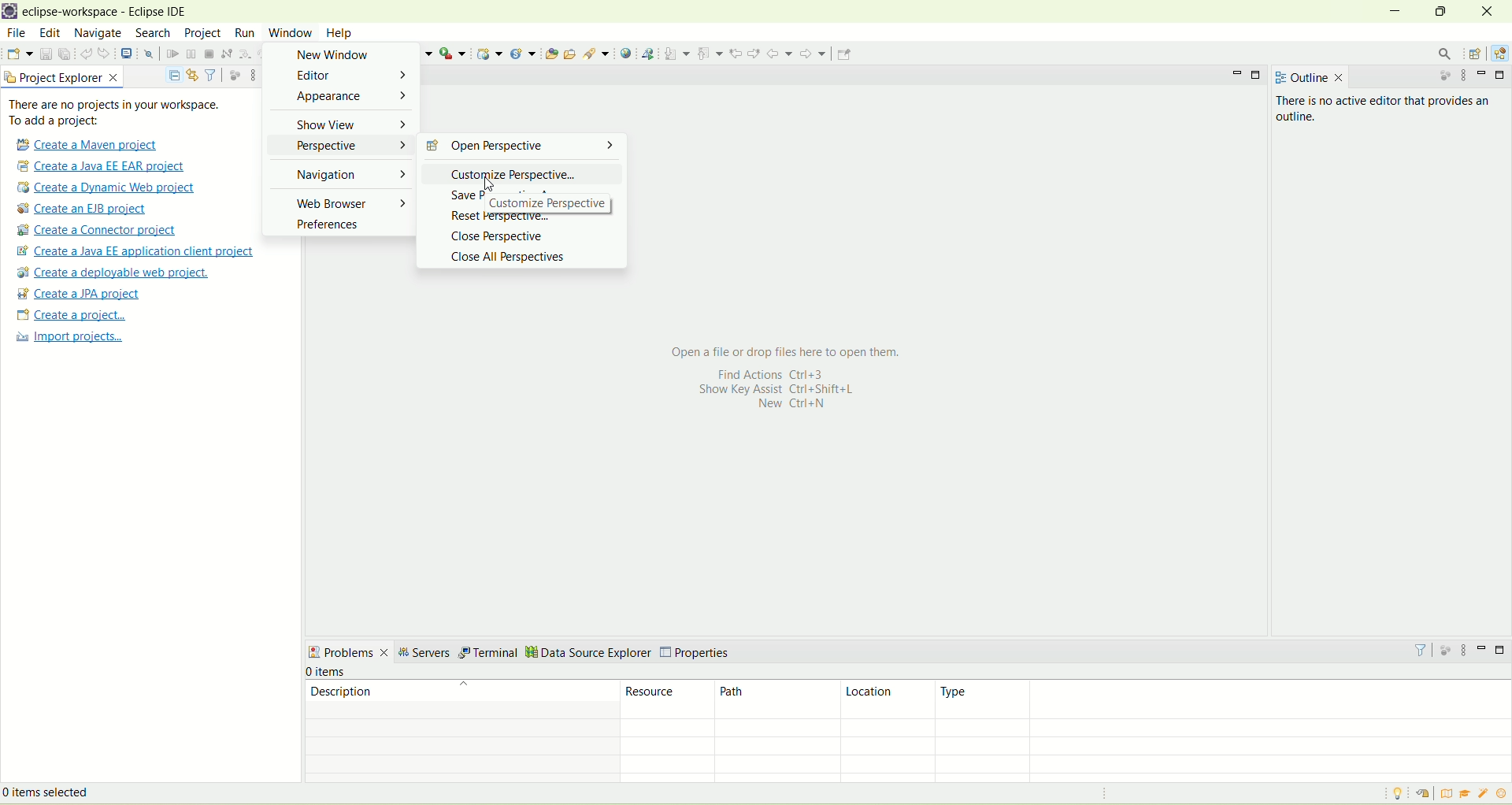  Describe the element at coordinates (784, 404) in the screenshot. I see `New Ctrl+N` at that location.